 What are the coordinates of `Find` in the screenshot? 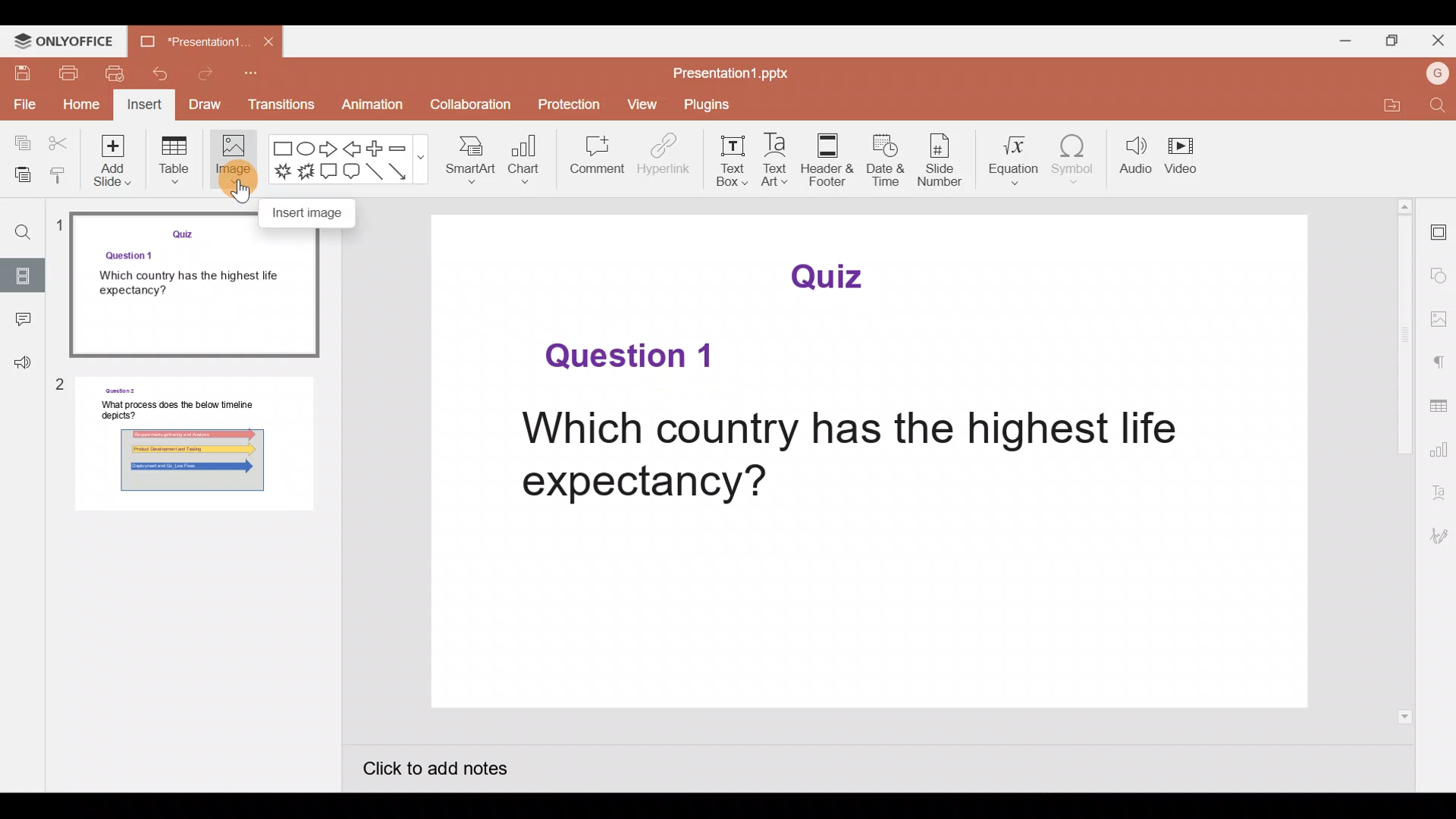 It's located at (1435, 108).